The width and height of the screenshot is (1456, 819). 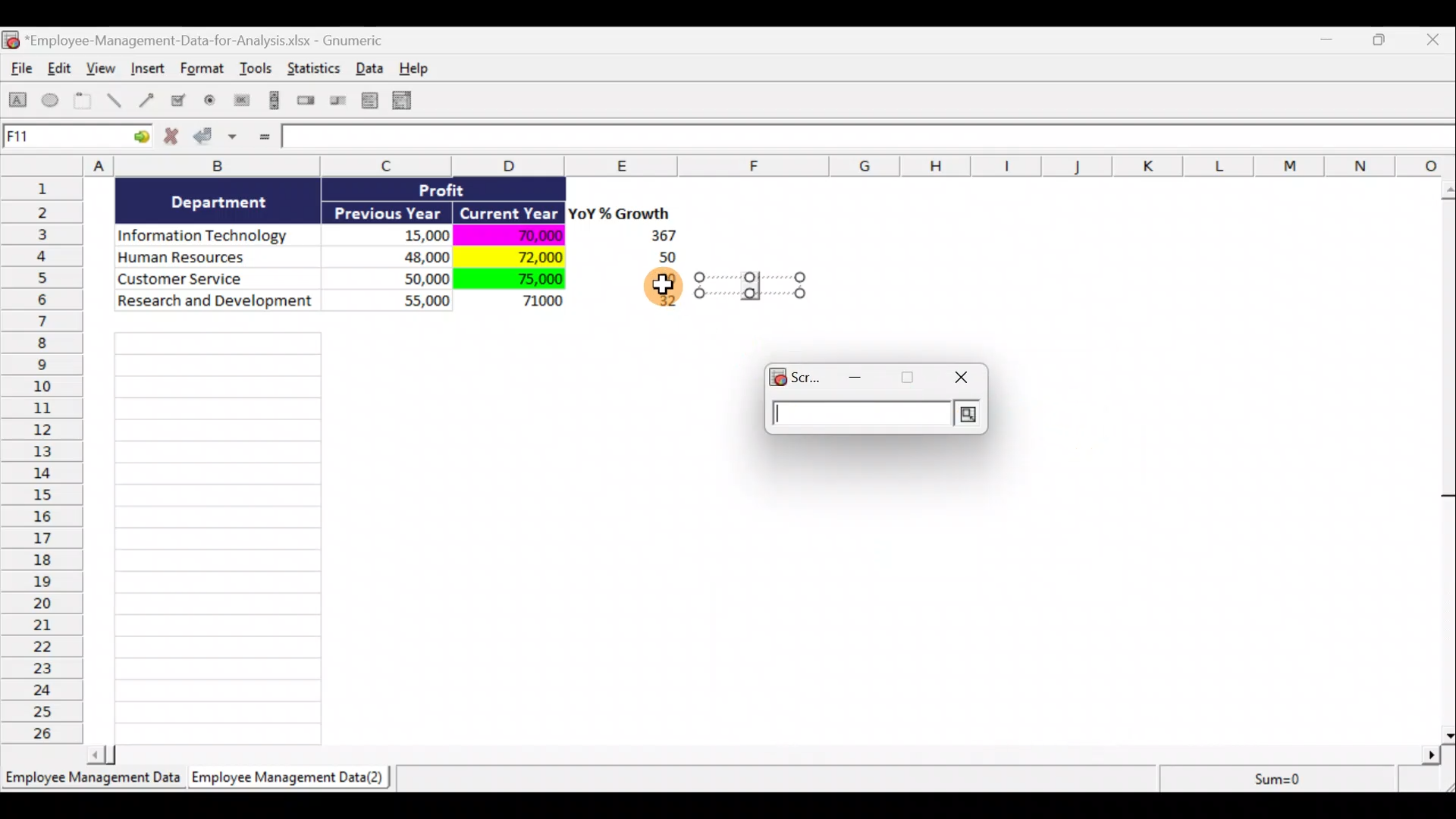 I want to click on Sum=0, so click(x=1275, y=779).